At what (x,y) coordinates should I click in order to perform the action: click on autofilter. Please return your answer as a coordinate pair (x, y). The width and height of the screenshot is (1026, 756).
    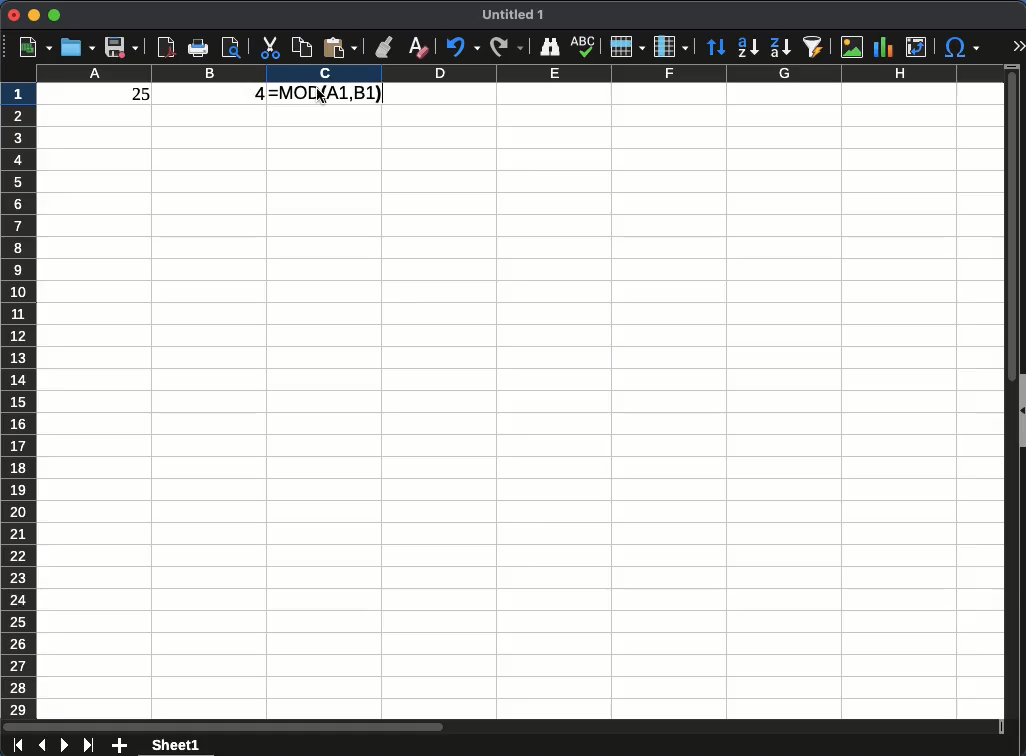
    Looking at the image, I should click on (816, 47).